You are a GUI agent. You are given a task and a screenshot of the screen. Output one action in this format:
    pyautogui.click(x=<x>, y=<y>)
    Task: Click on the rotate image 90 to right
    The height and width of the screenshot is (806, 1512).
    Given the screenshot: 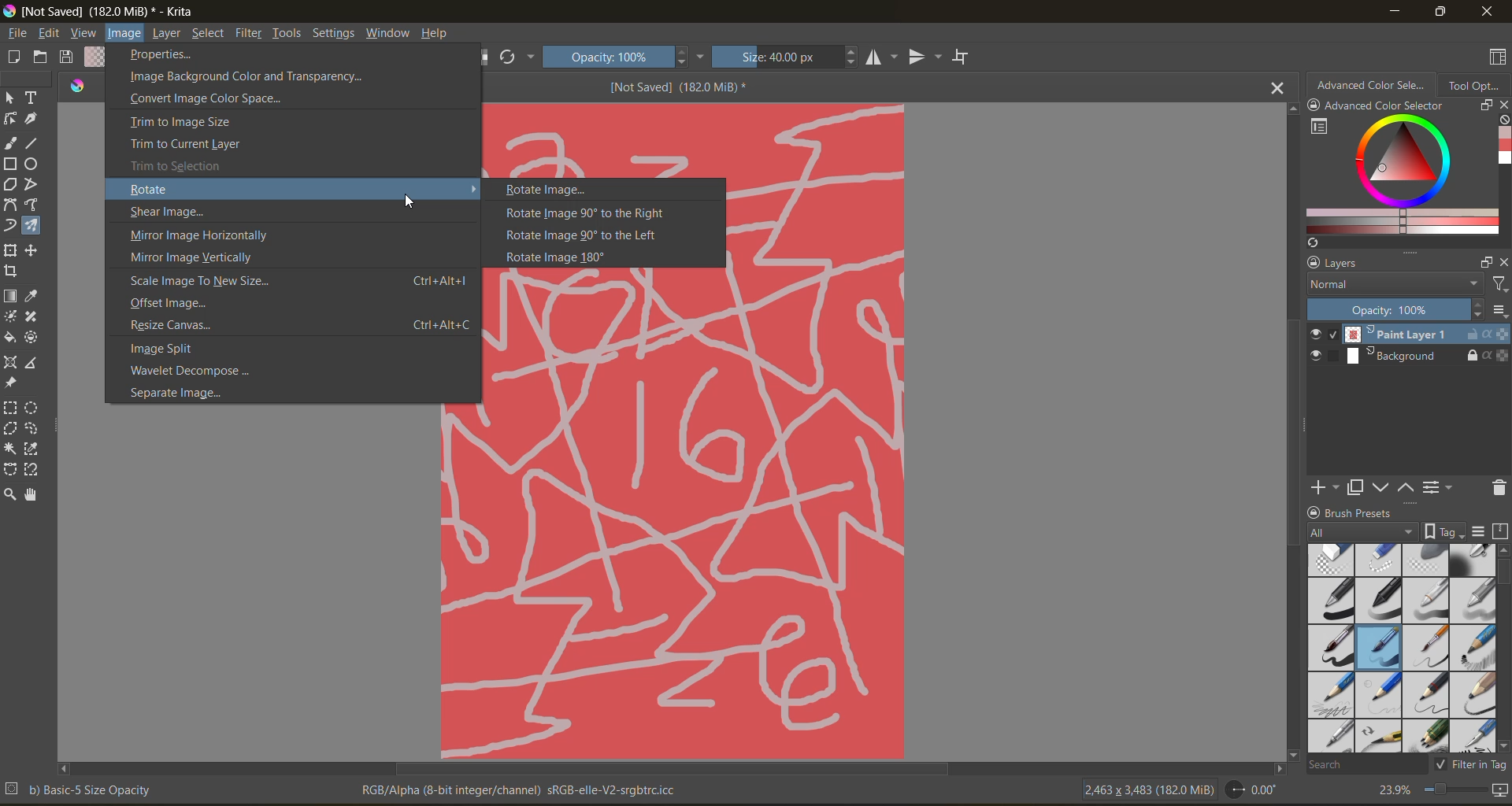 What is the action you would take?
    pyautogui.click(x=584, y=214)
    